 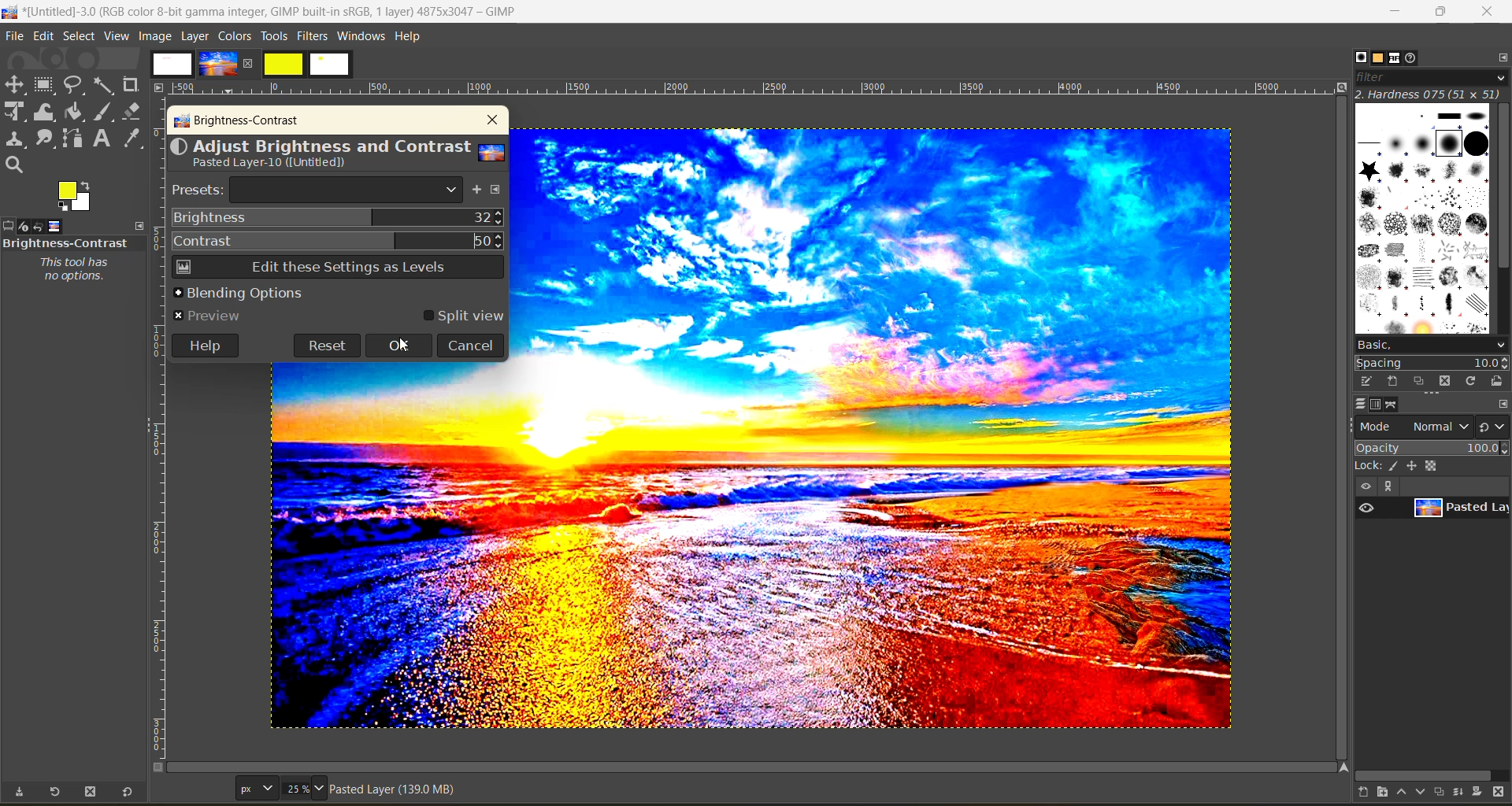 I want to click on merge this layer, so click(x=1465, y=794).